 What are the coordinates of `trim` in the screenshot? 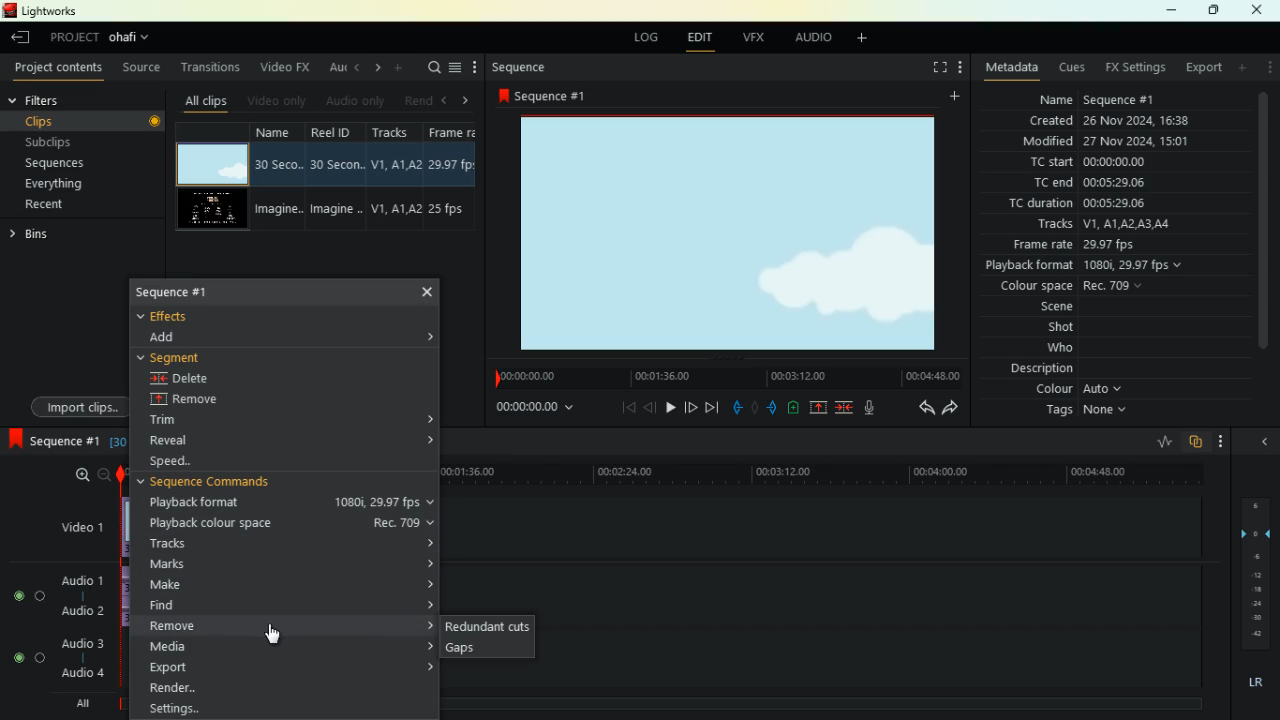 It's located at (194, 421).